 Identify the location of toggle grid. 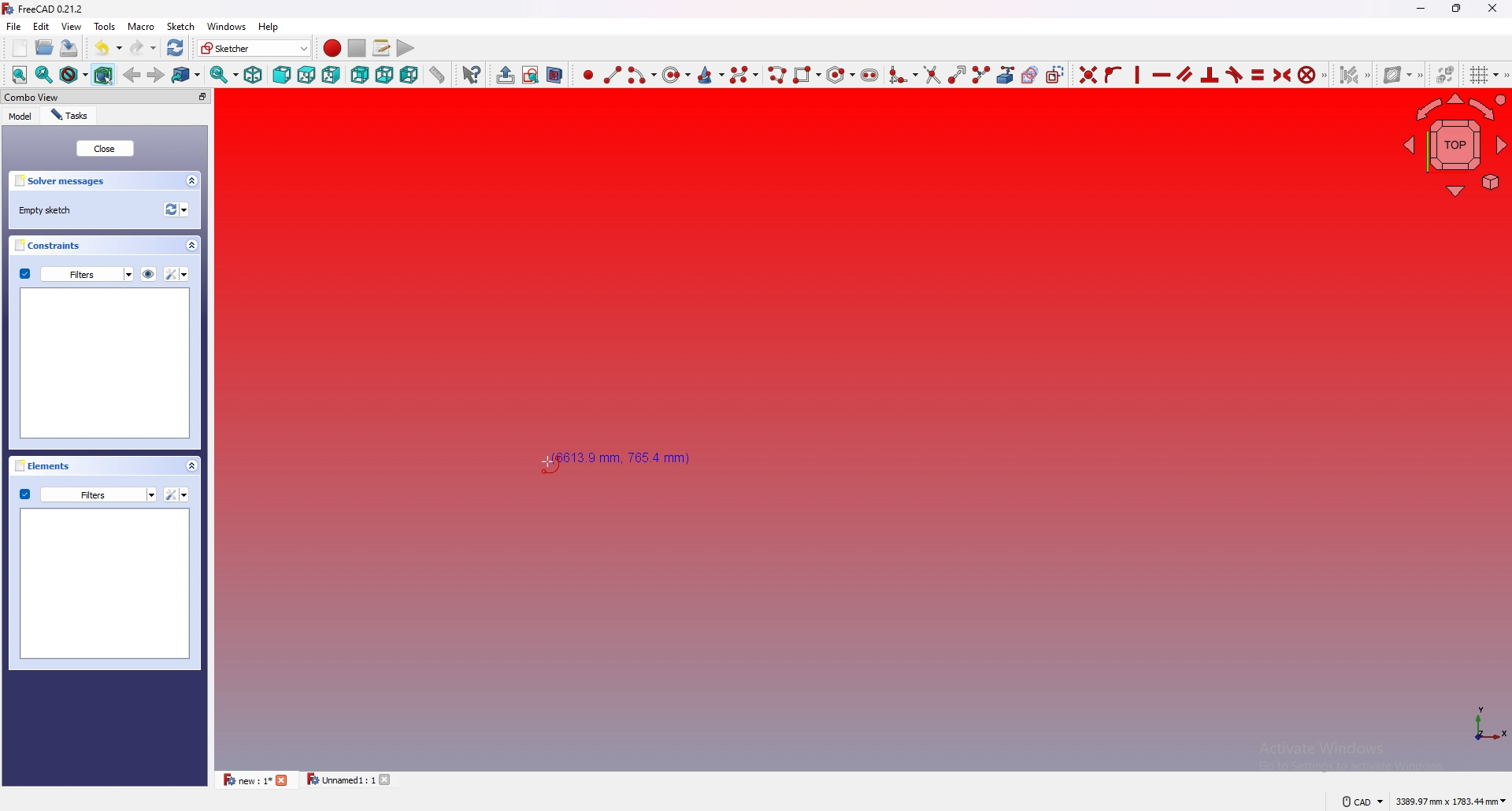
(1485, 75).